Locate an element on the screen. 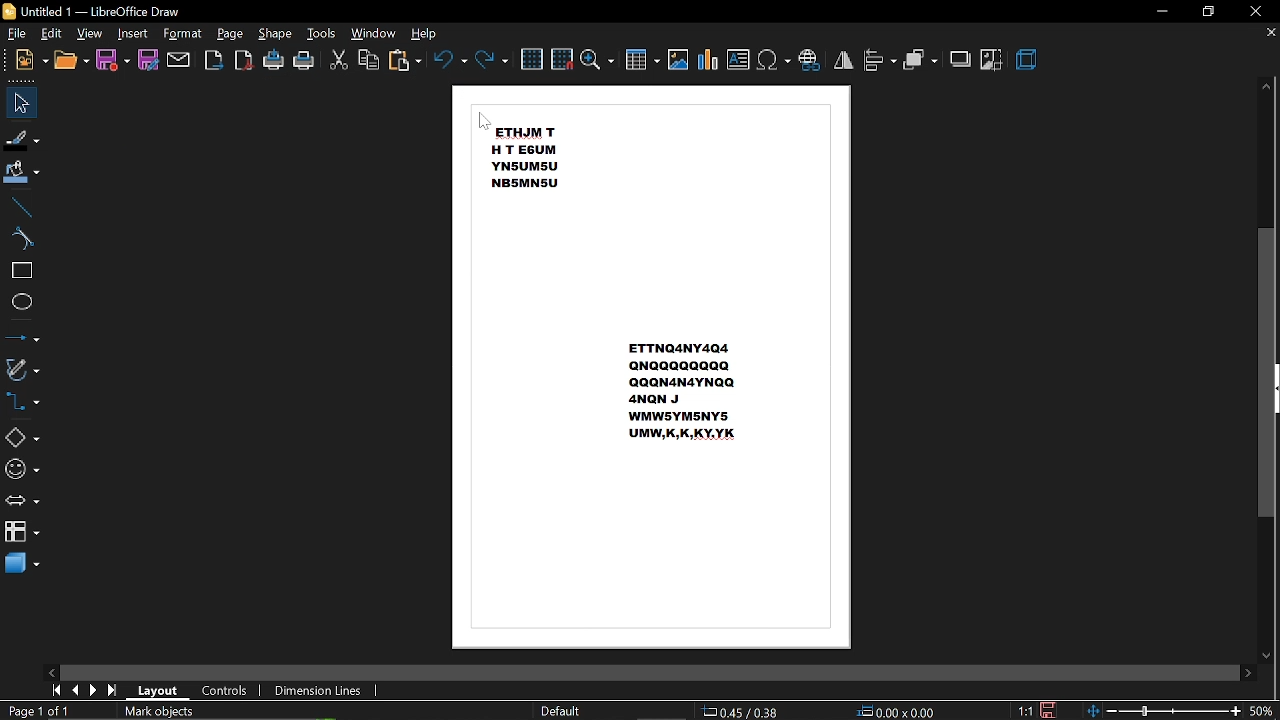 This screenshot has width=1280, height=720. undo is located at coordinates (448, 59).